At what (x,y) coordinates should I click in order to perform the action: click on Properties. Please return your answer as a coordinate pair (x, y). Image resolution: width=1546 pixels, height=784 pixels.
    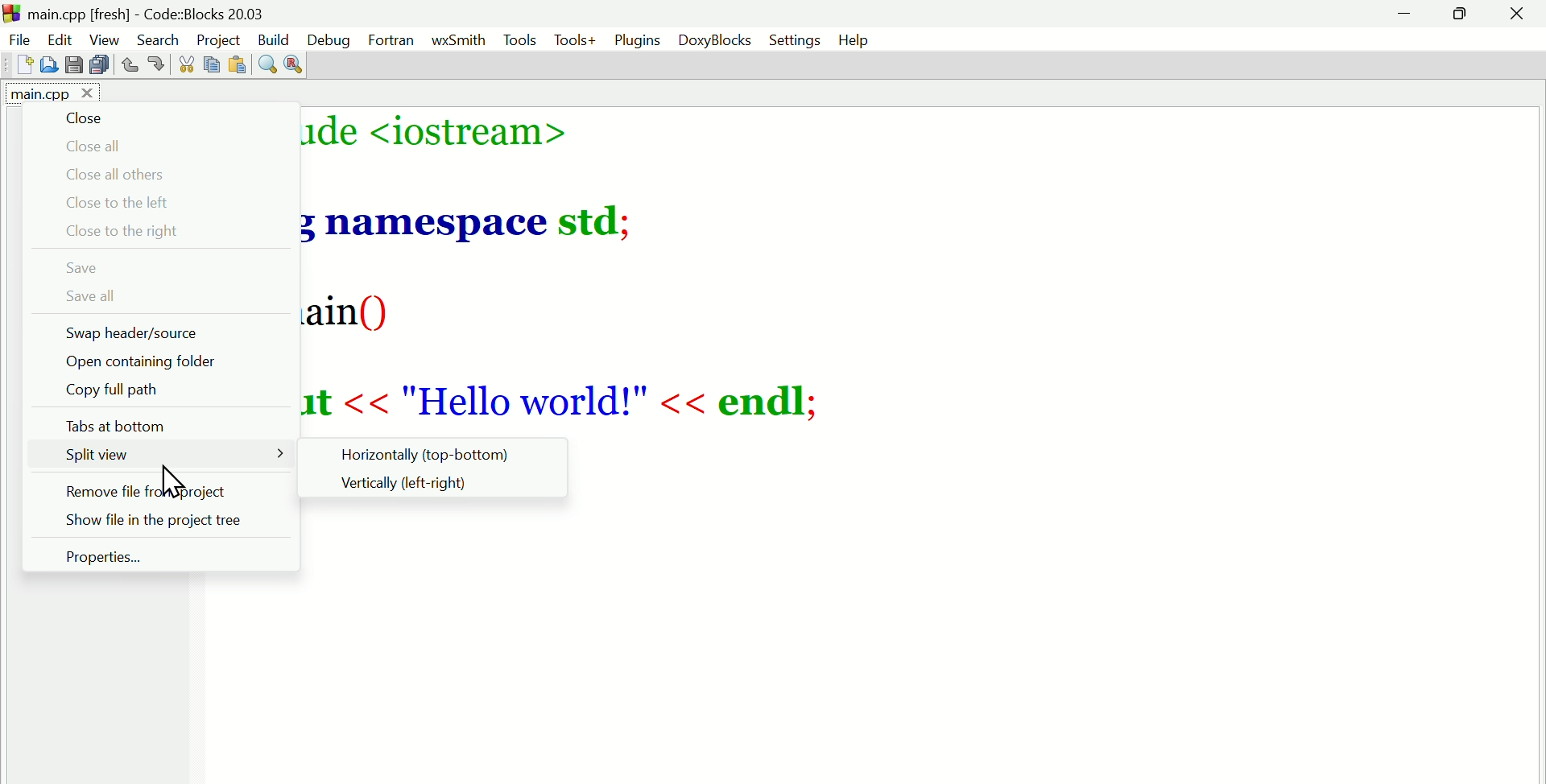
    Looking at the image, I should click on (118, 559).